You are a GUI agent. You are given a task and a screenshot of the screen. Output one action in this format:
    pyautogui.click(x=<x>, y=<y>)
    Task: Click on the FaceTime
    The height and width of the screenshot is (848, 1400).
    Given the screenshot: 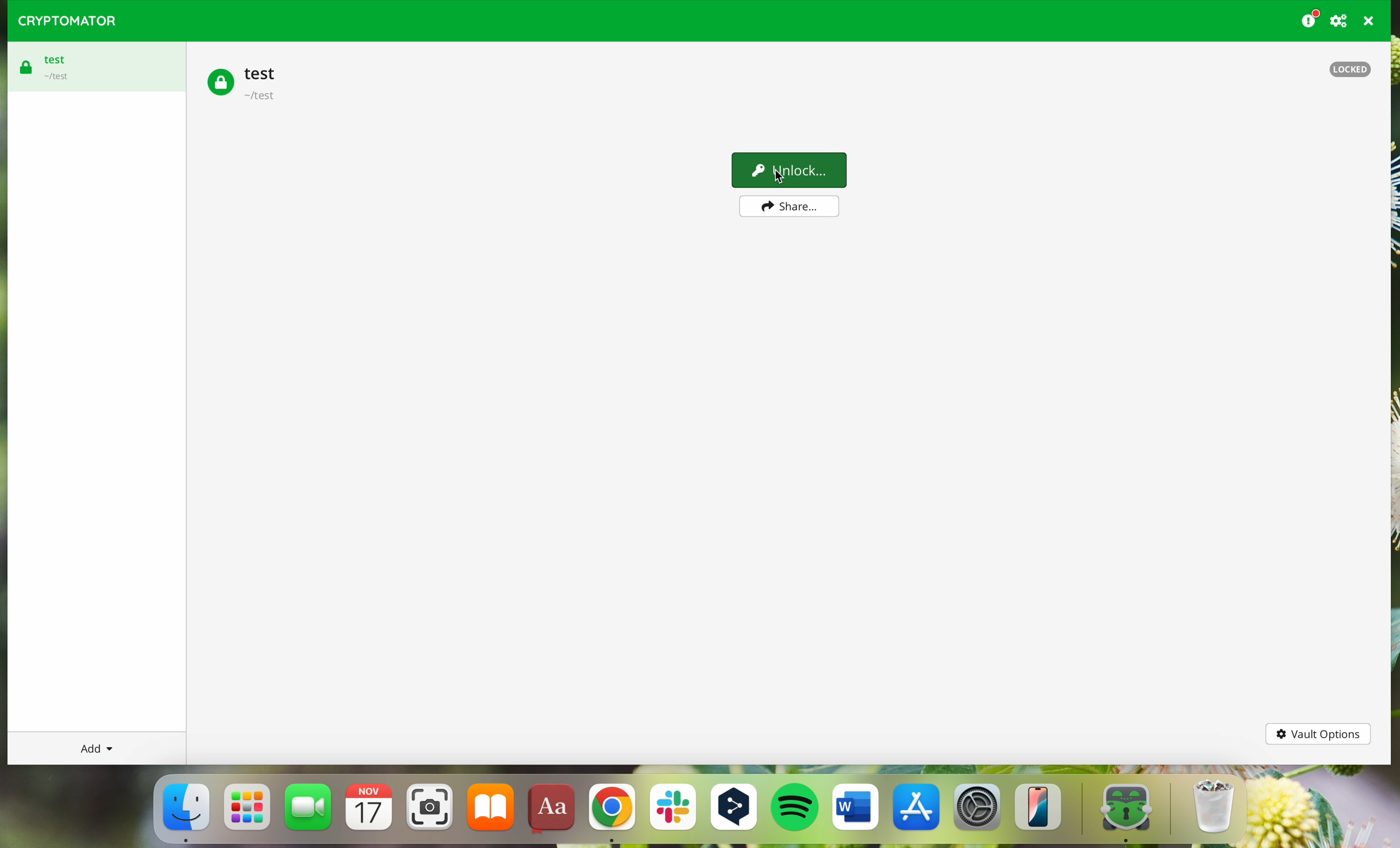 What is the action you would take?
    pyautogui.click(x=310, y=811)
    